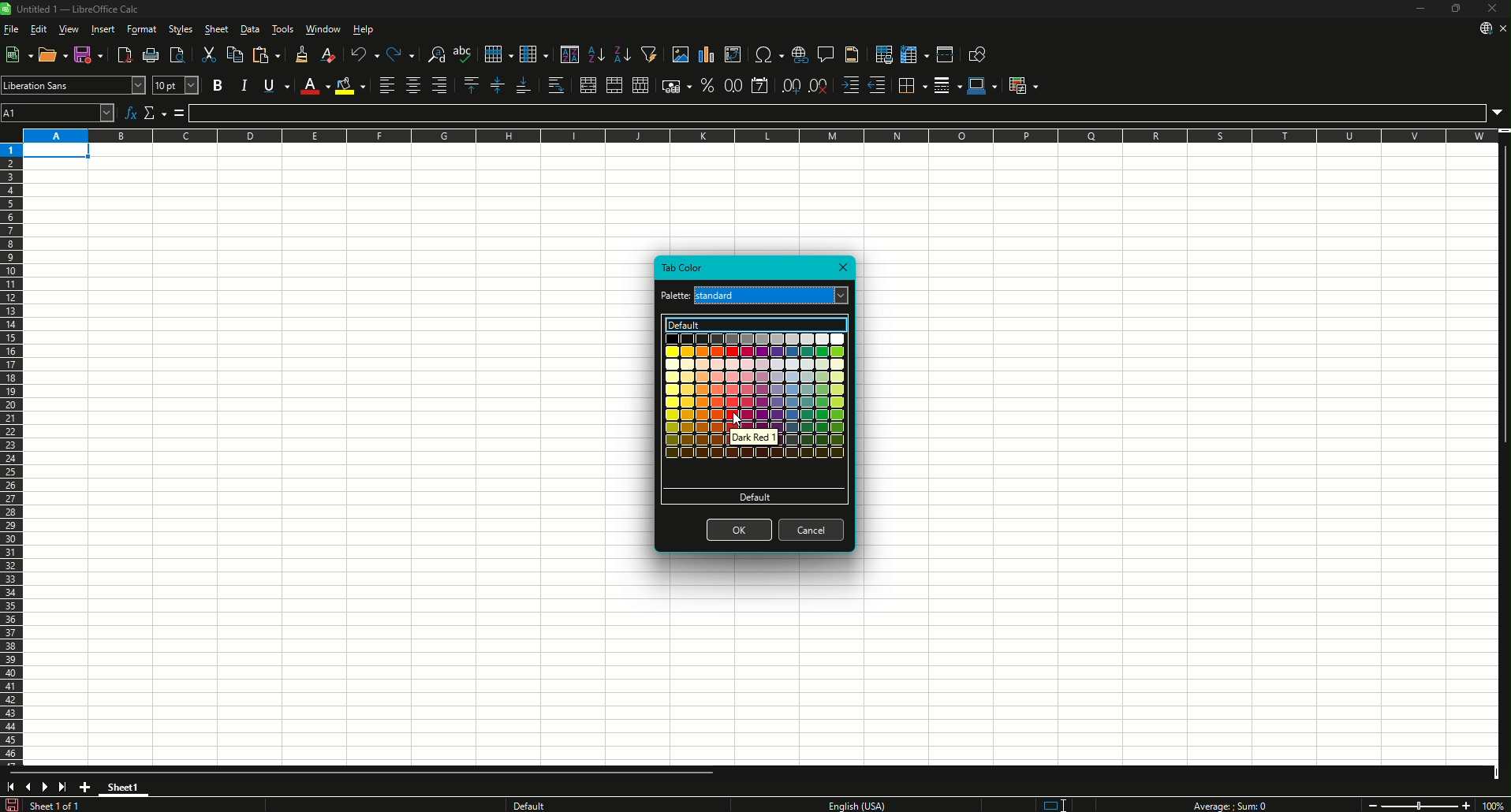 This screenshot has width=1511, height=812. Describe the element at coordinates (842, 267) in the screenshot. I see `Close` at that location.